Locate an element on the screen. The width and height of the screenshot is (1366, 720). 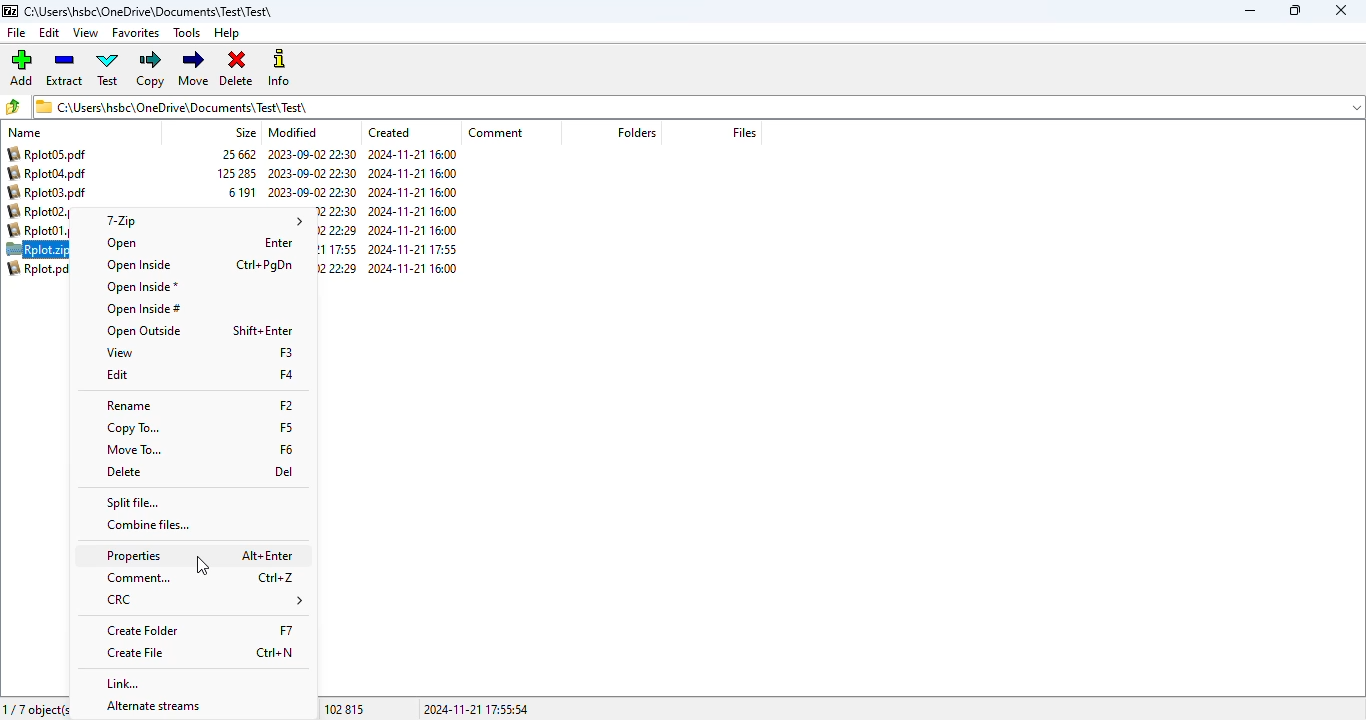
comment is located at coordinates (495, 132).